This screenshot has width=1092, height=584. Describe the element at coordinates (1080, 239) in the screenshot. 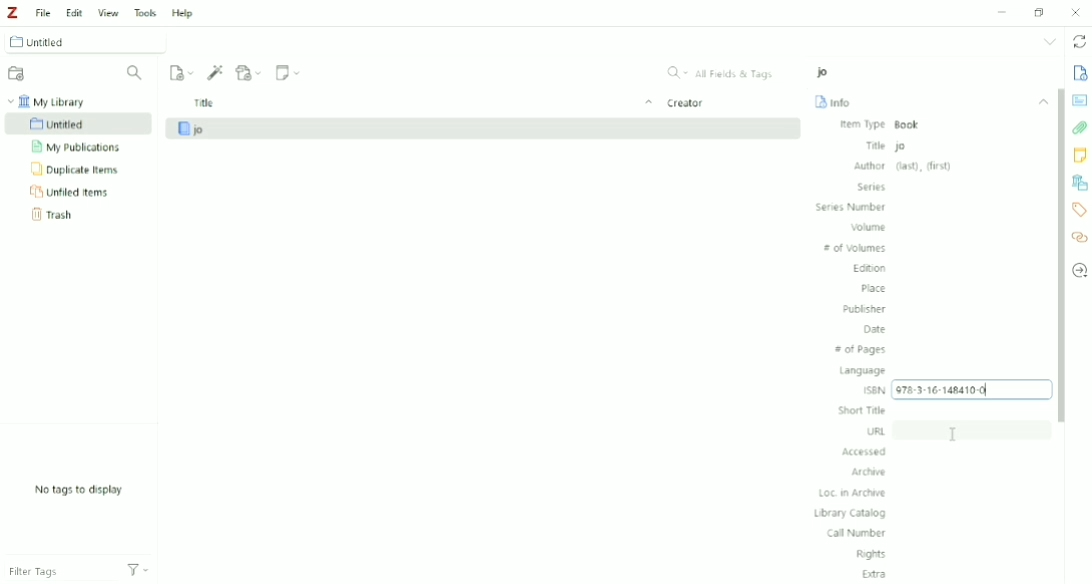

I see `Related` at that location.